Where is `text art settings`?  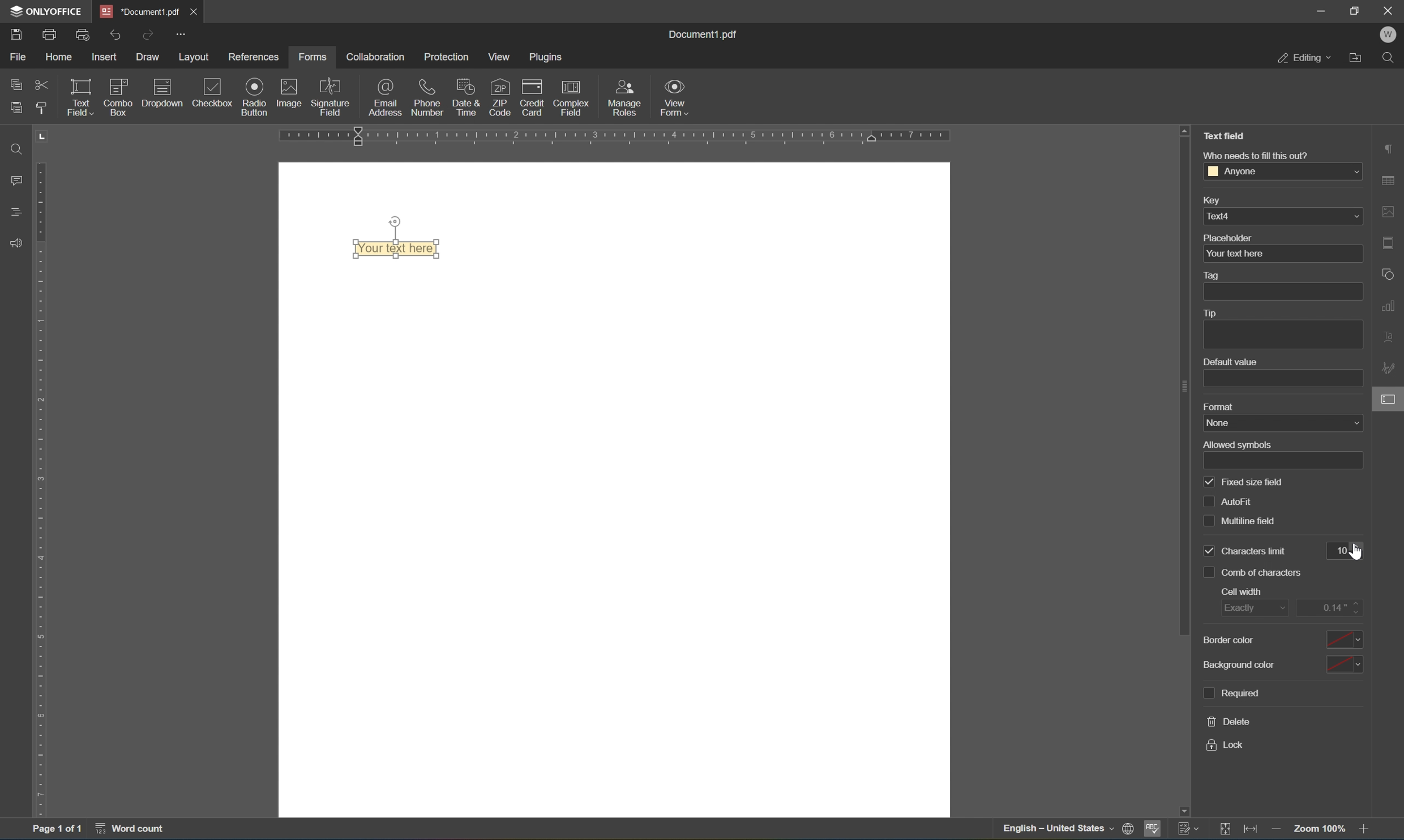
text art settings is located at coordinates (1392, 340).